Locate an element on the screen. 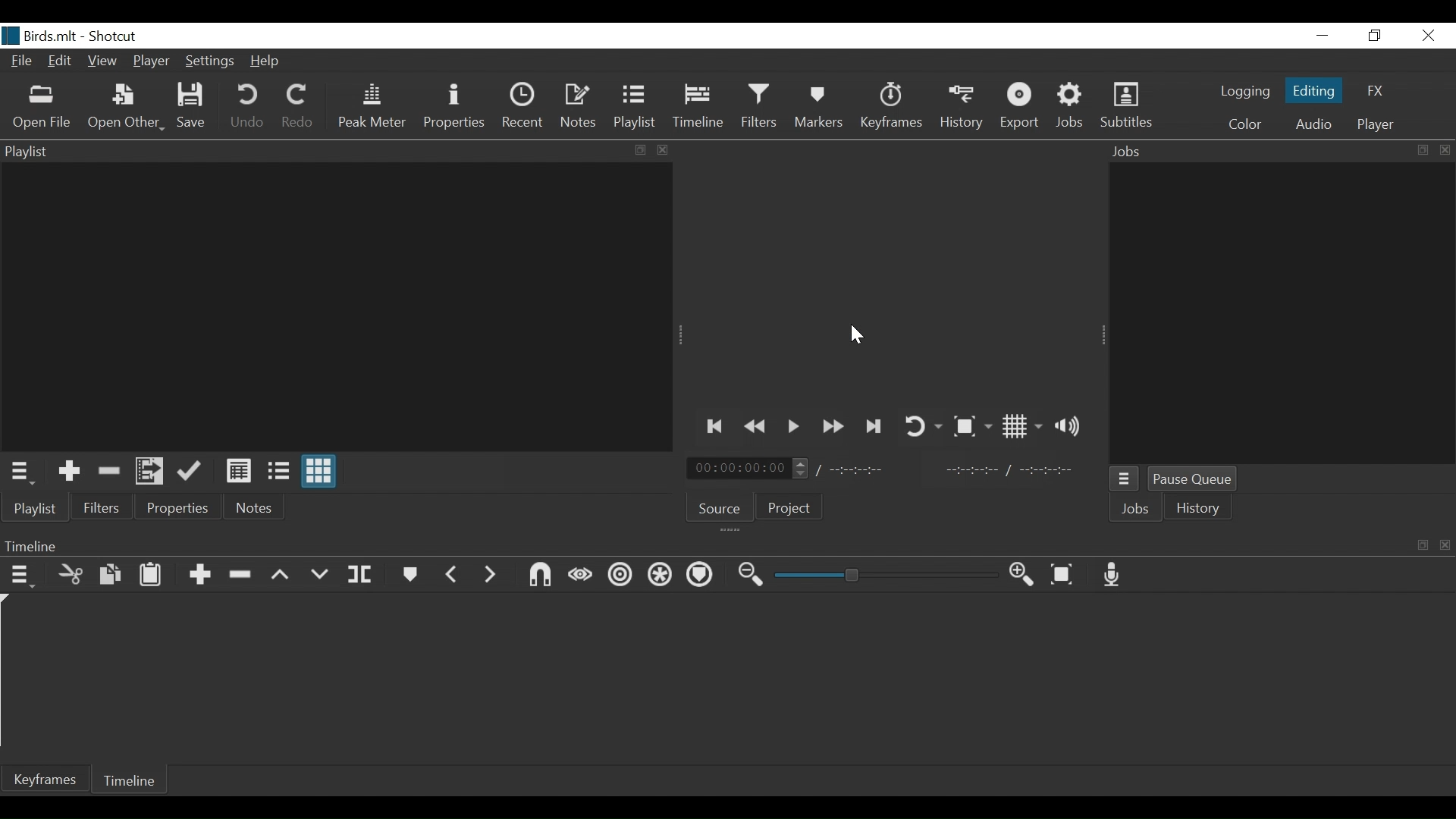  Export is located at coordinates (1022, 106).